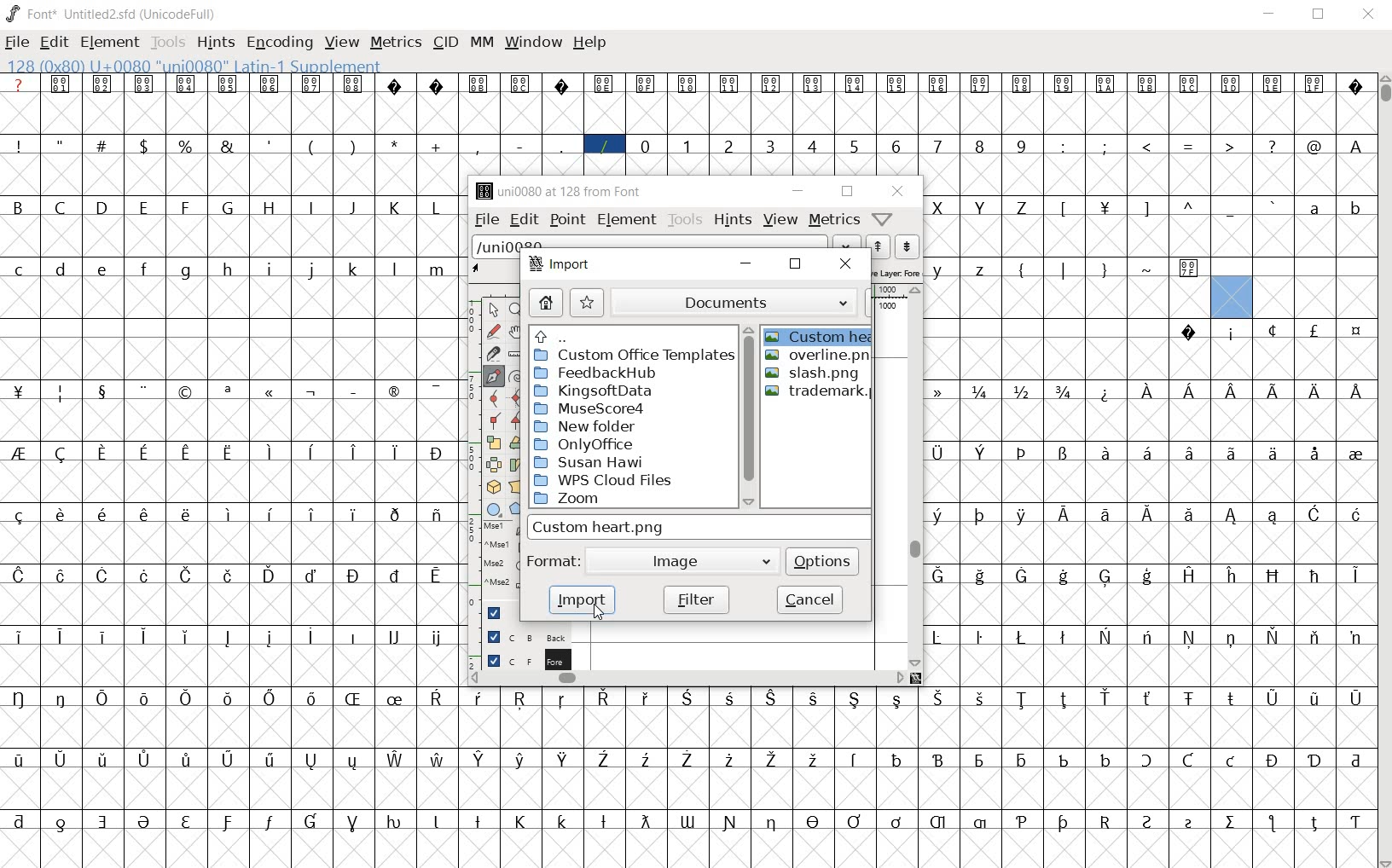 The height and width of the screenshot is (868, 1392). I want to click on glyph, so click(770, 698).